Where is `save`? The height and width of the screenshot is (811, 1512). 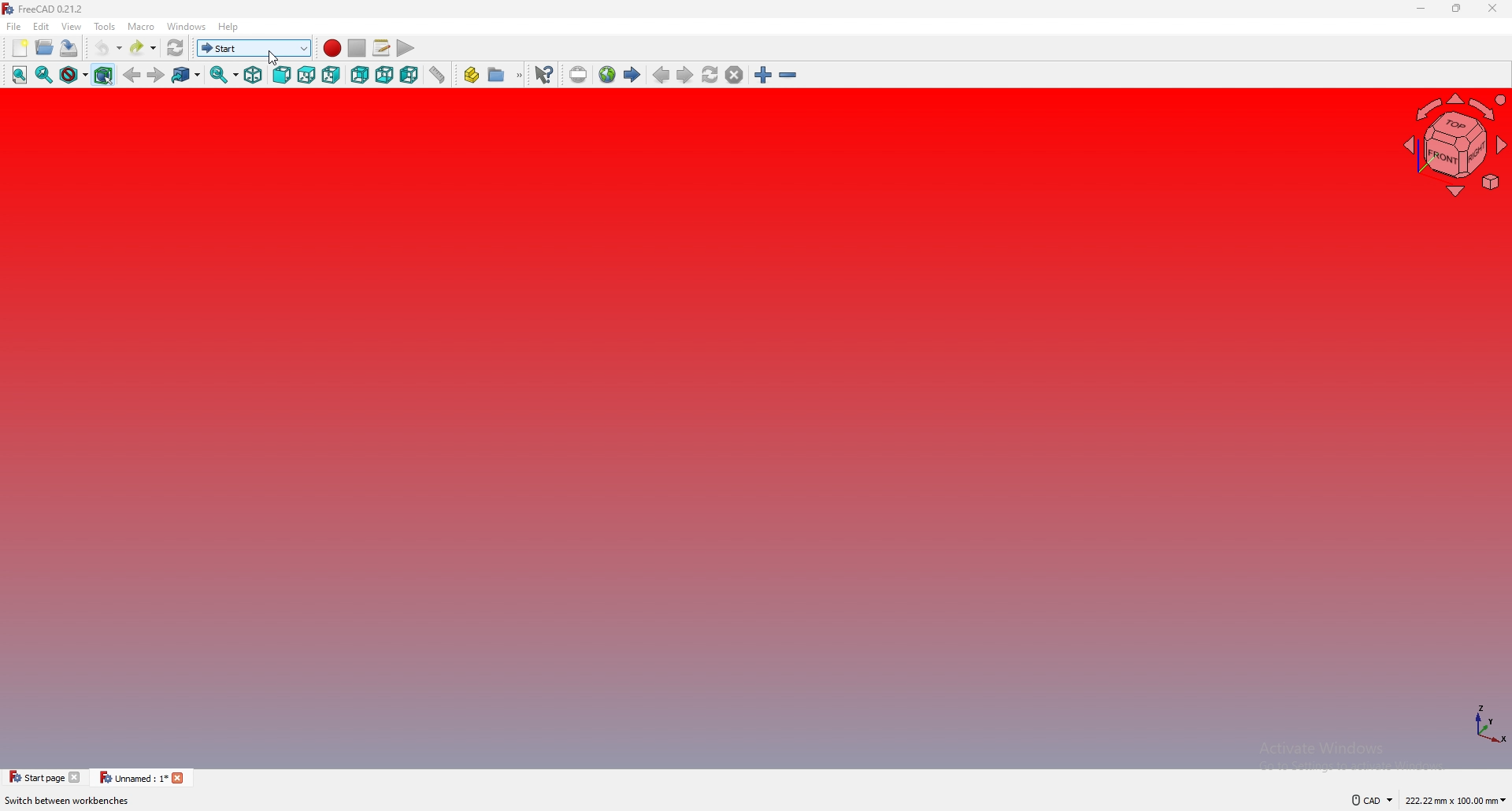
save is located at coordinates (70, 49).